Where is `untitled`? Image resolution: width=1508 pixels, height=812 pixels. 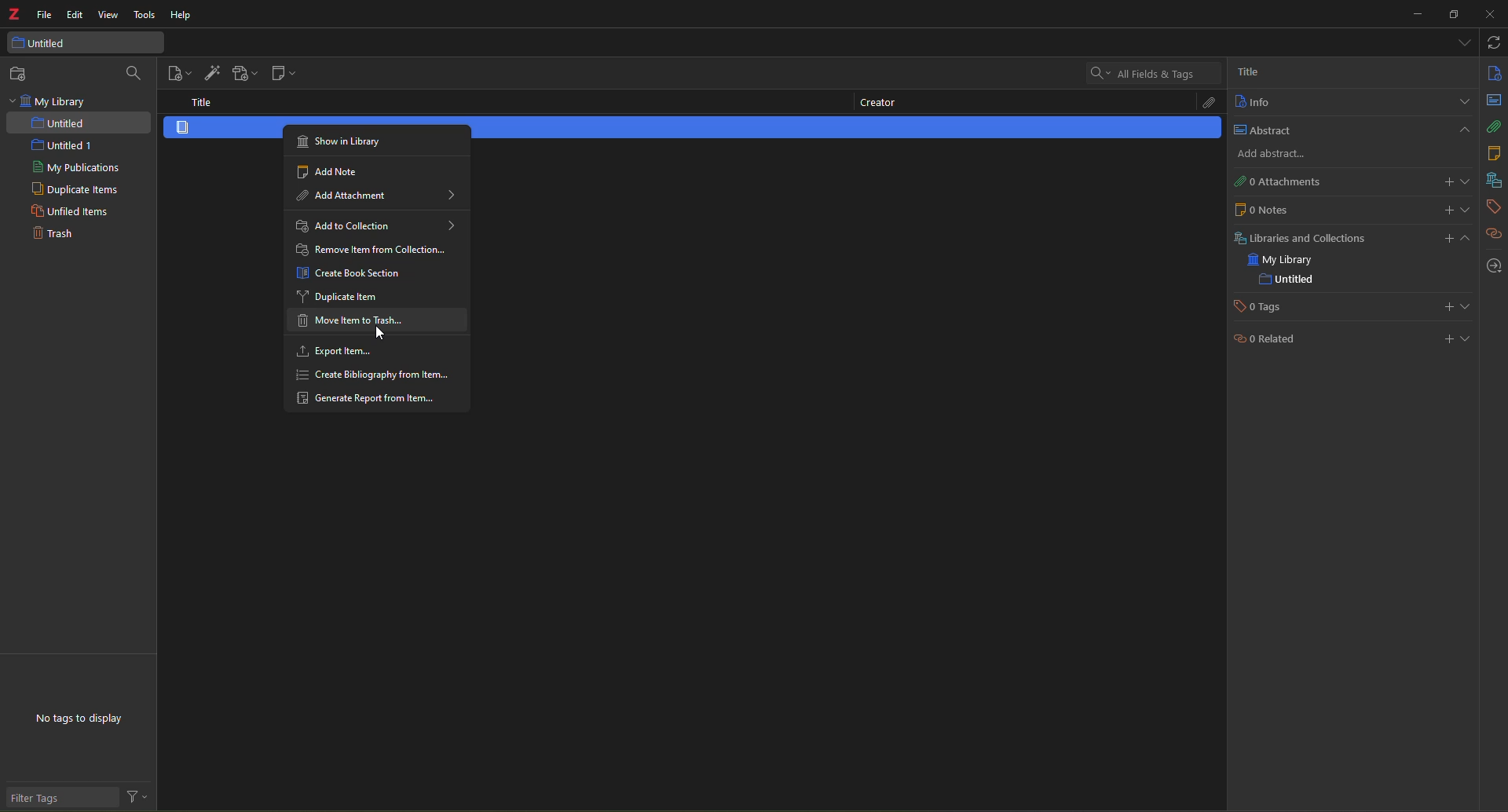 untitled is located at coordinates (52, 43).